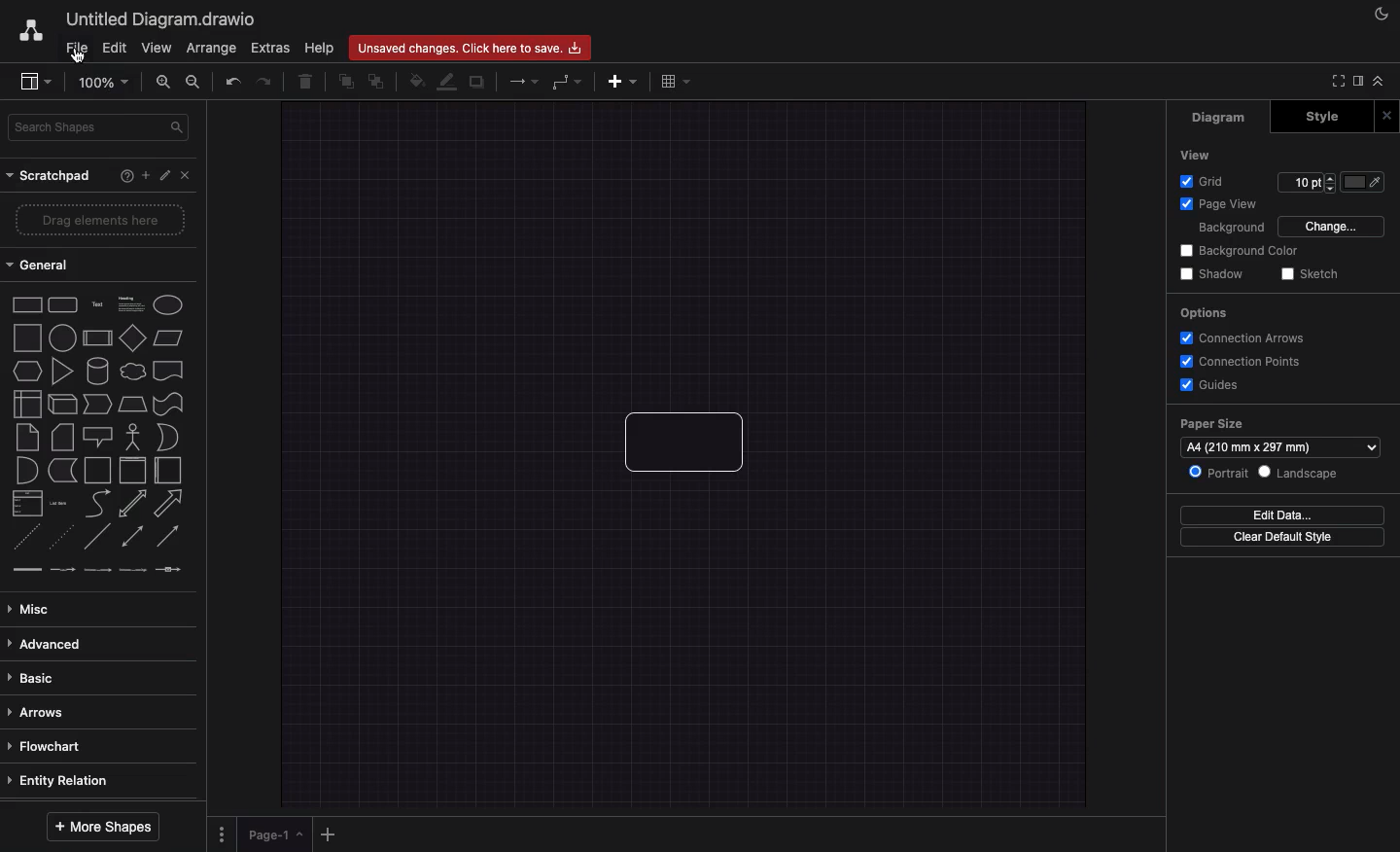 This screenshot has height=852, width=1400. Describe the element at coordinates (1246, 338) in the screenshot. I see `Connection arrows` at that location.